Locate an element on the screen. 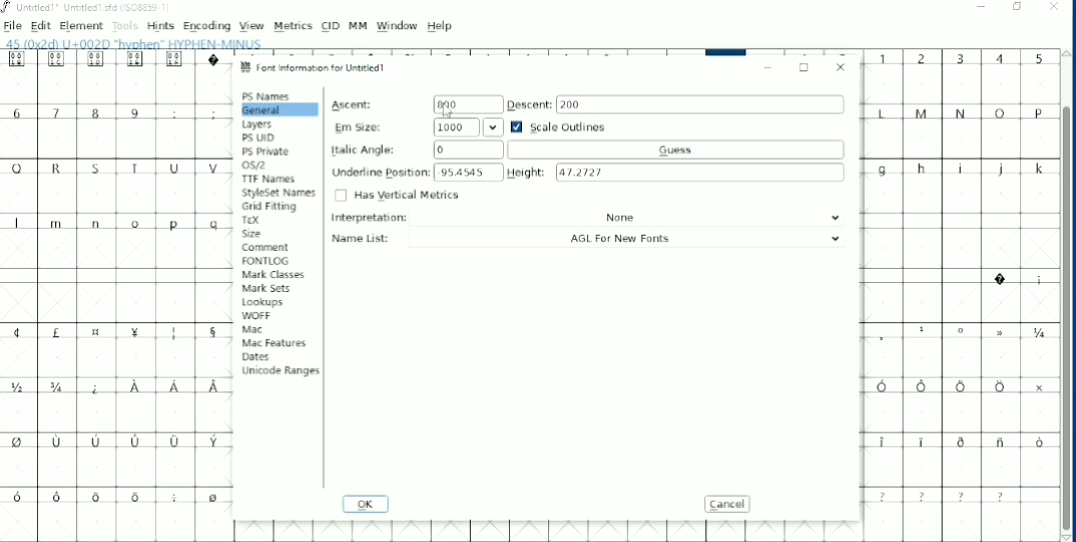  Hints is located at coordinates (160, 26).